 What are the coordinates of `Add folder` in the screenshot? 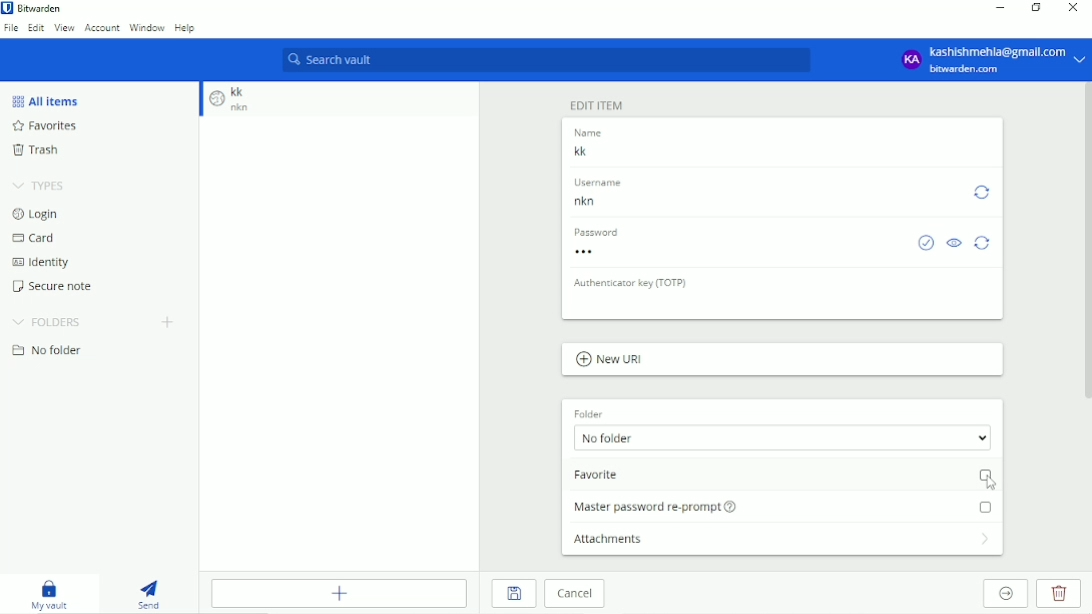 It's located at (166, 322).